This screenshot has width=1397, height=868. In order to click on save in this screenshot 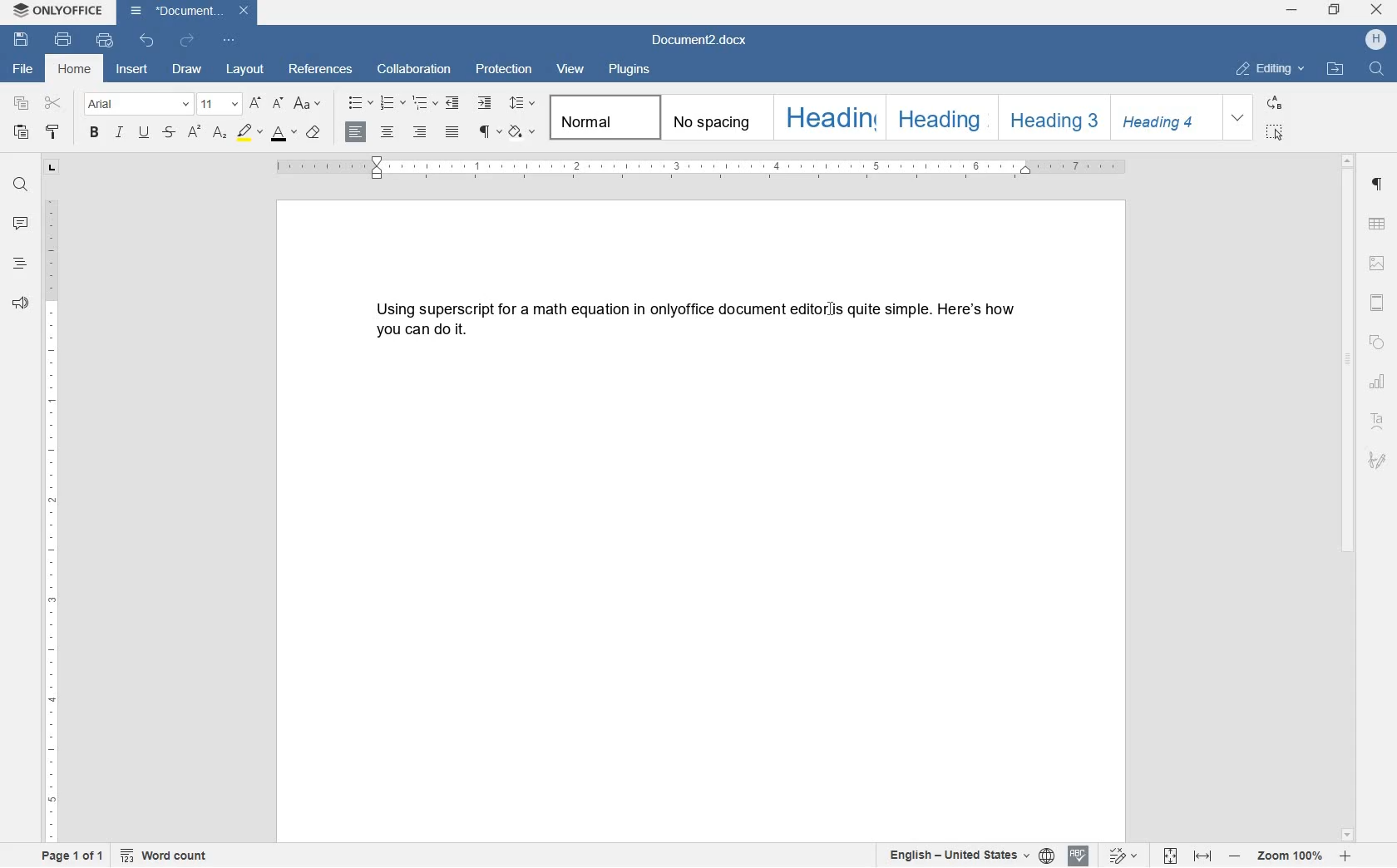, I will do `click(23, 40)`.